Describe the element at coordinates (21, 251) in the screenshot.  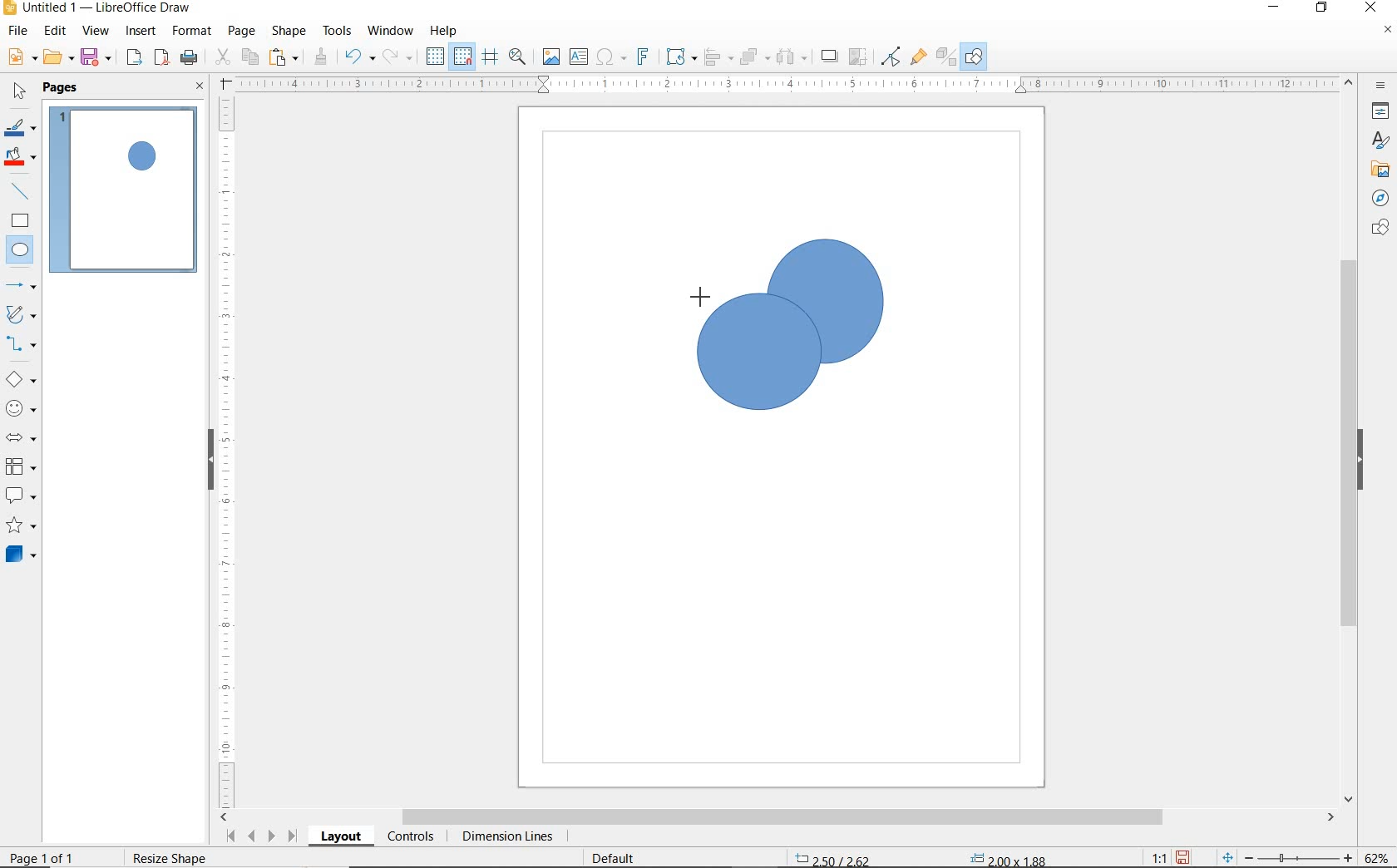
I see `ELLIPSE` at that location.